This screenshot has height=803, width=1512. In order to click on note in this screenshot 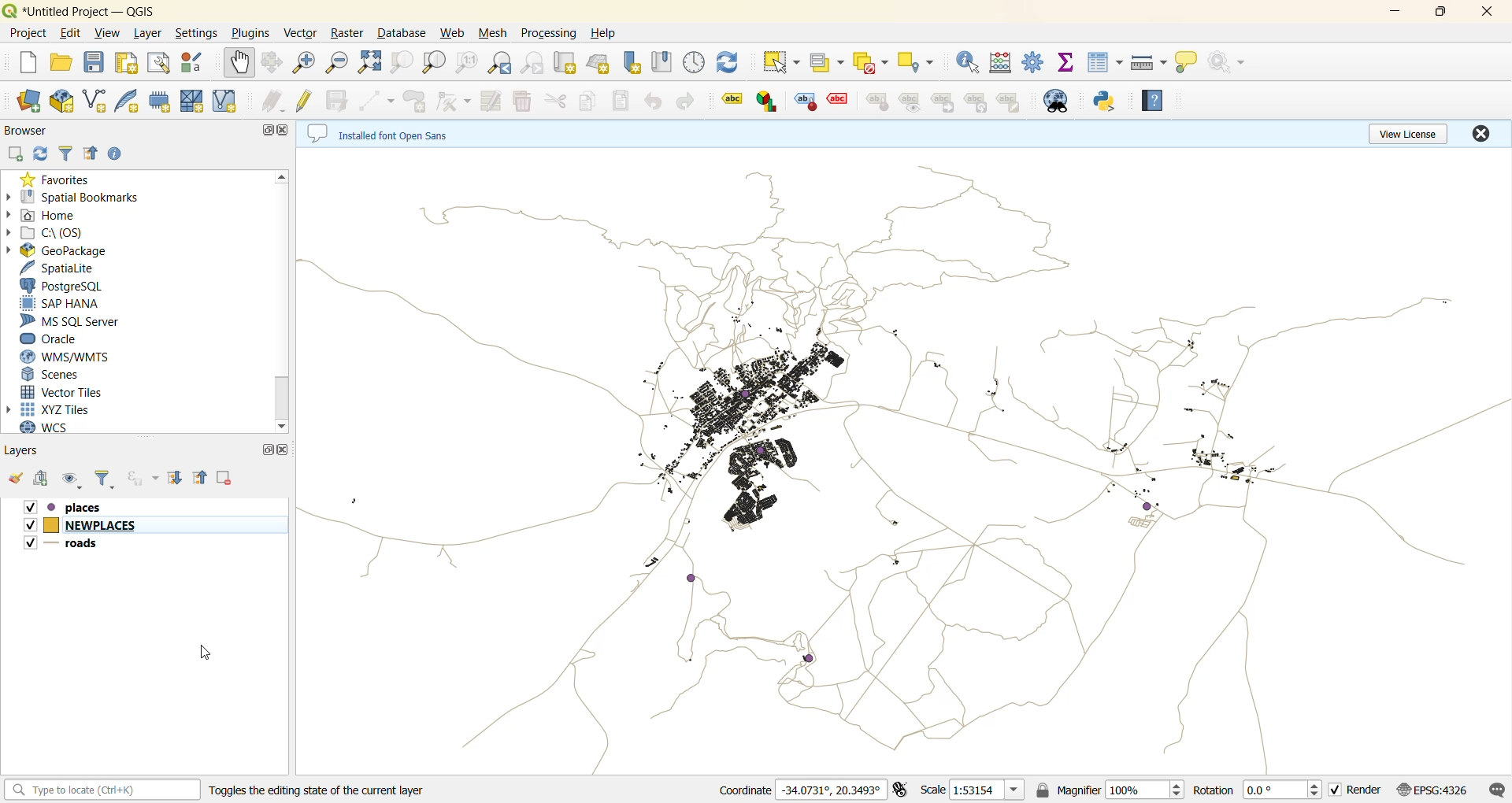, I will do `click(1010, 102)`.